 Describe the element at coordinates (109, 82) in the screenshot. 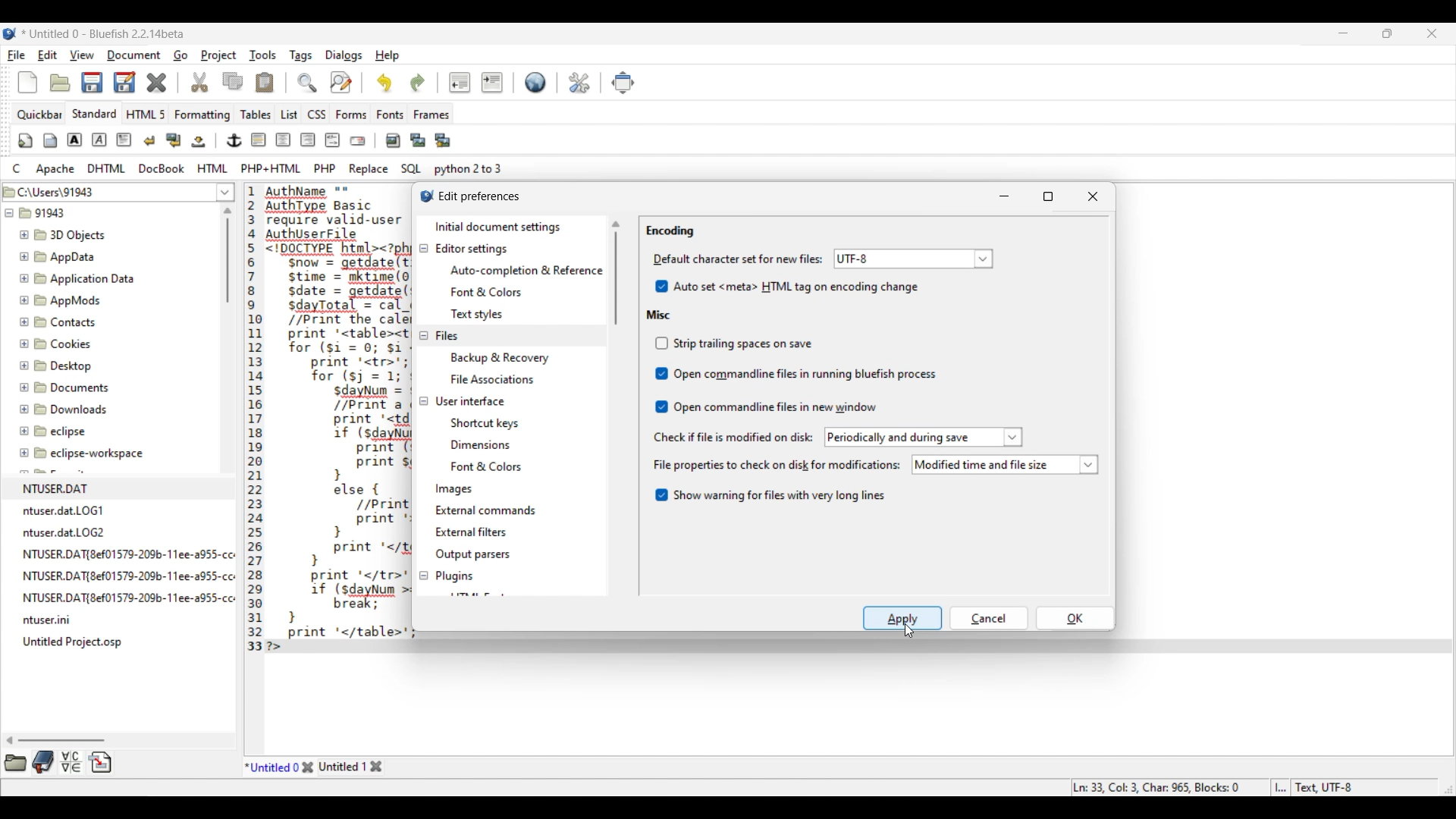

I see `Save options` at that location.